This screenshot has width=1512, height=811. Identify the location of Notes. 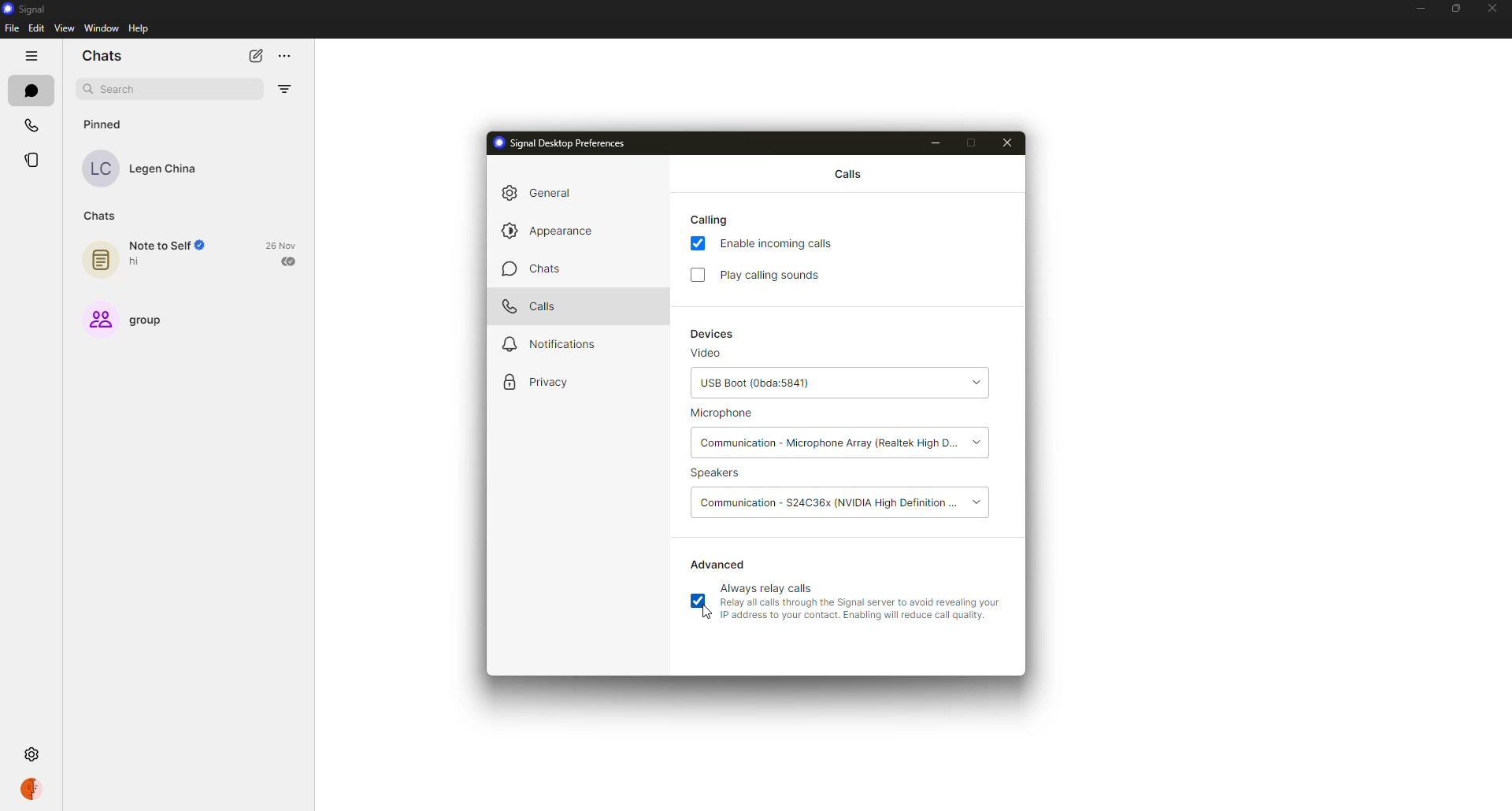
(98, 261).